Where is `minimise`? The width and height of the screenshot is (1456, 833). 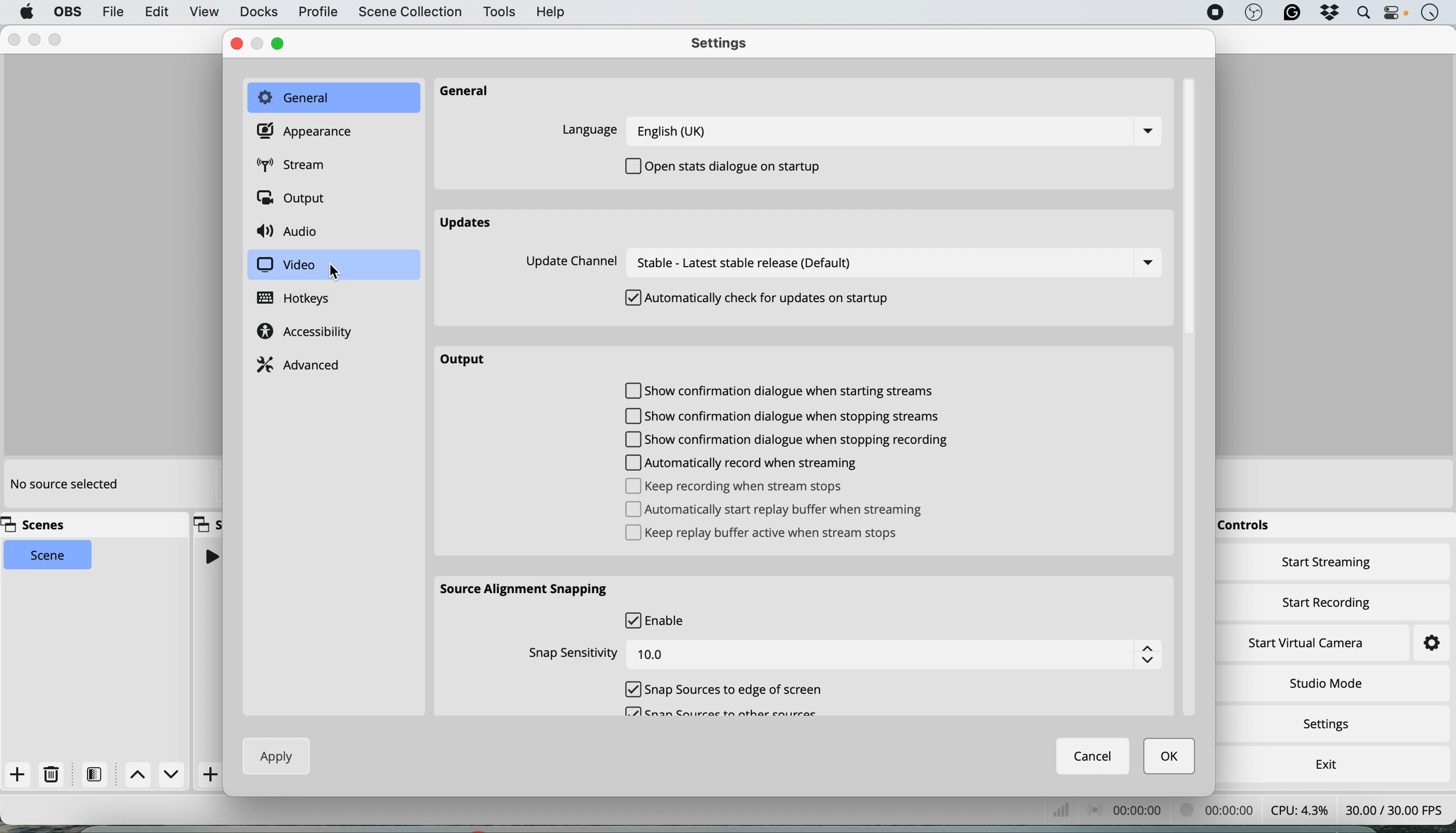 minimise is located at coordinates (32, 40).